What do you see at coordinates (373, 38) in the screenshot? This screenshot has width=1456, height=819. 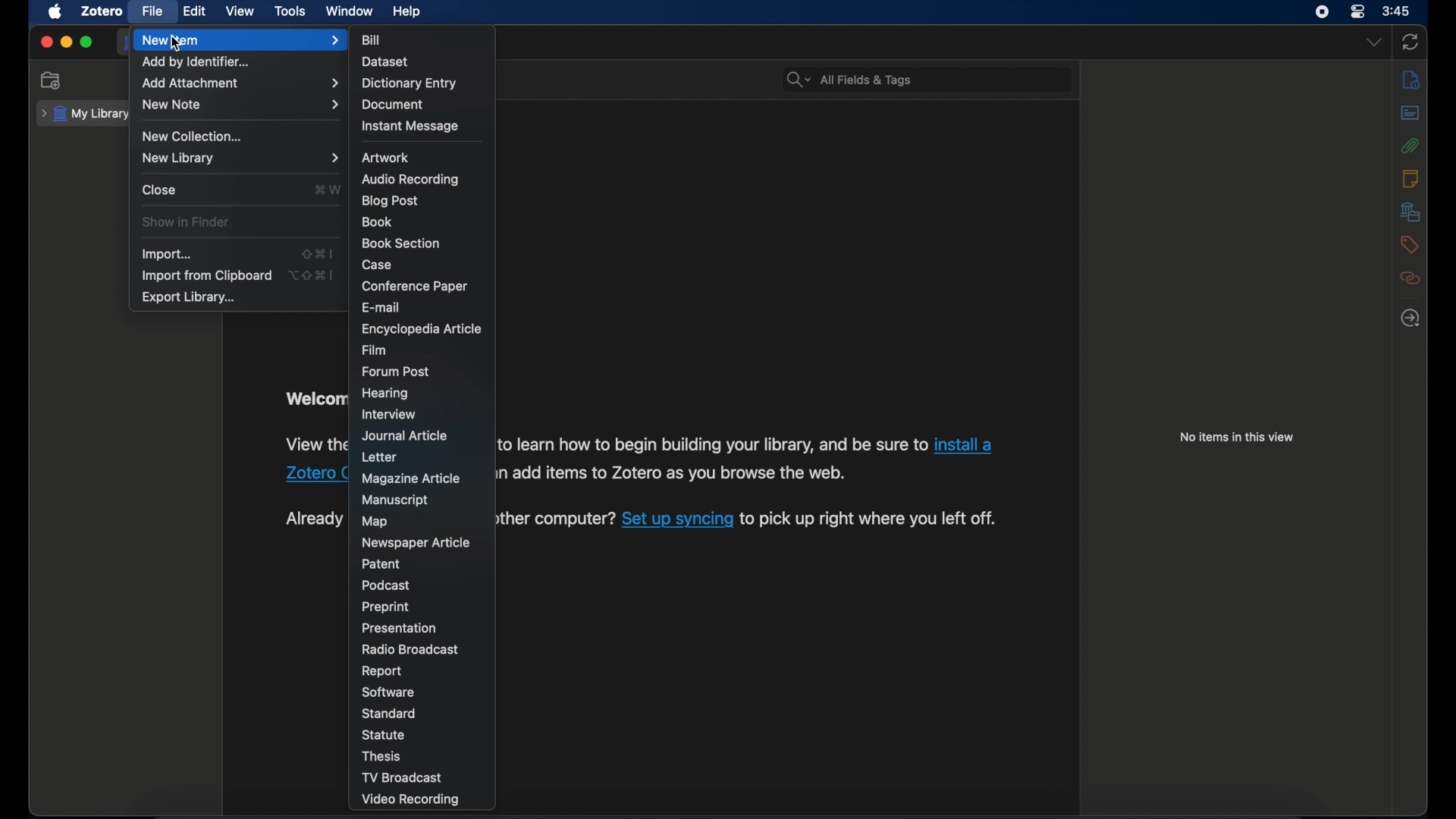 I see `bill` at bounding box center [373, 38].